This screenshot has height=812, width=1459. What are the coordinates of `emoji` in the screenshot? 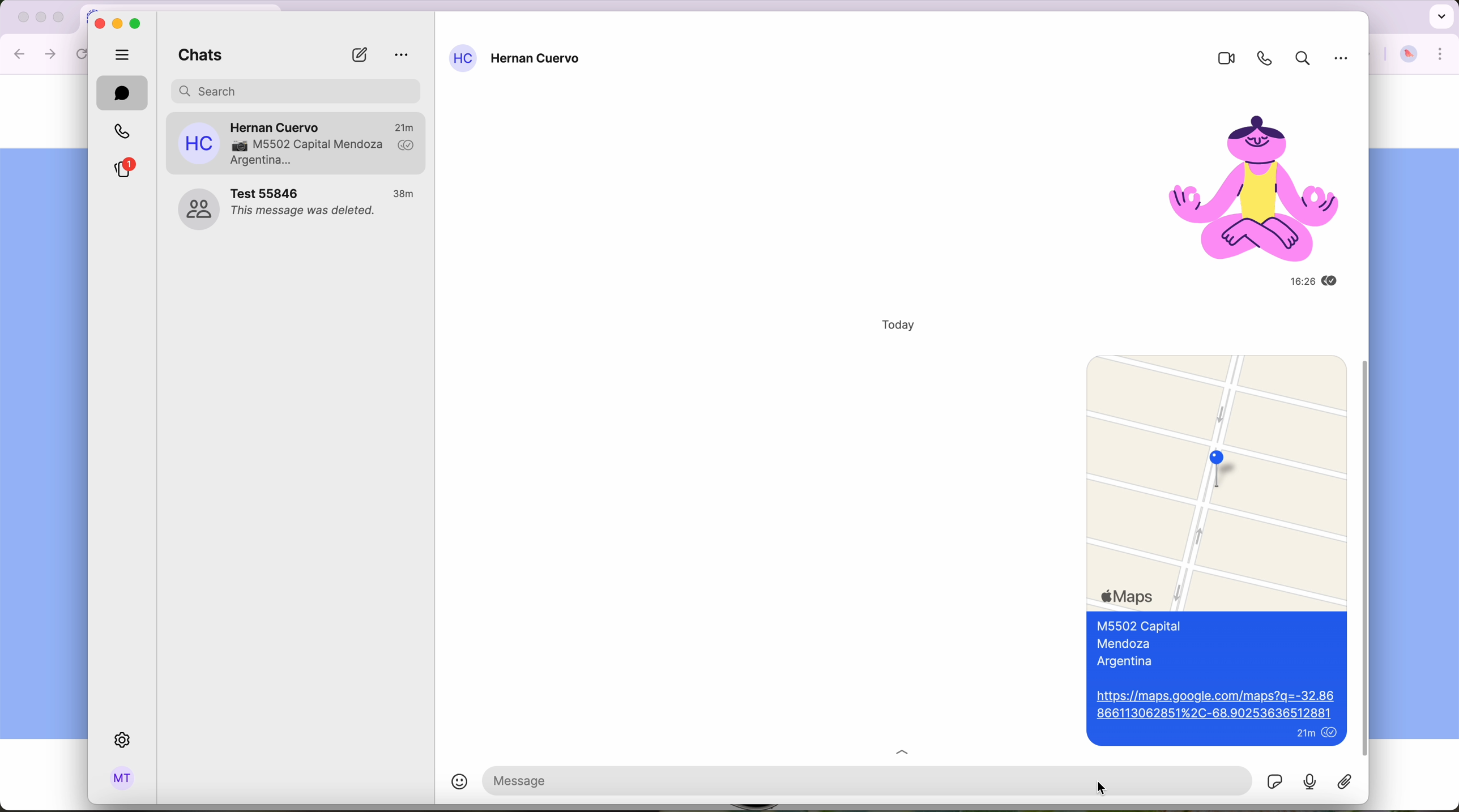 It's located at (449, 784).